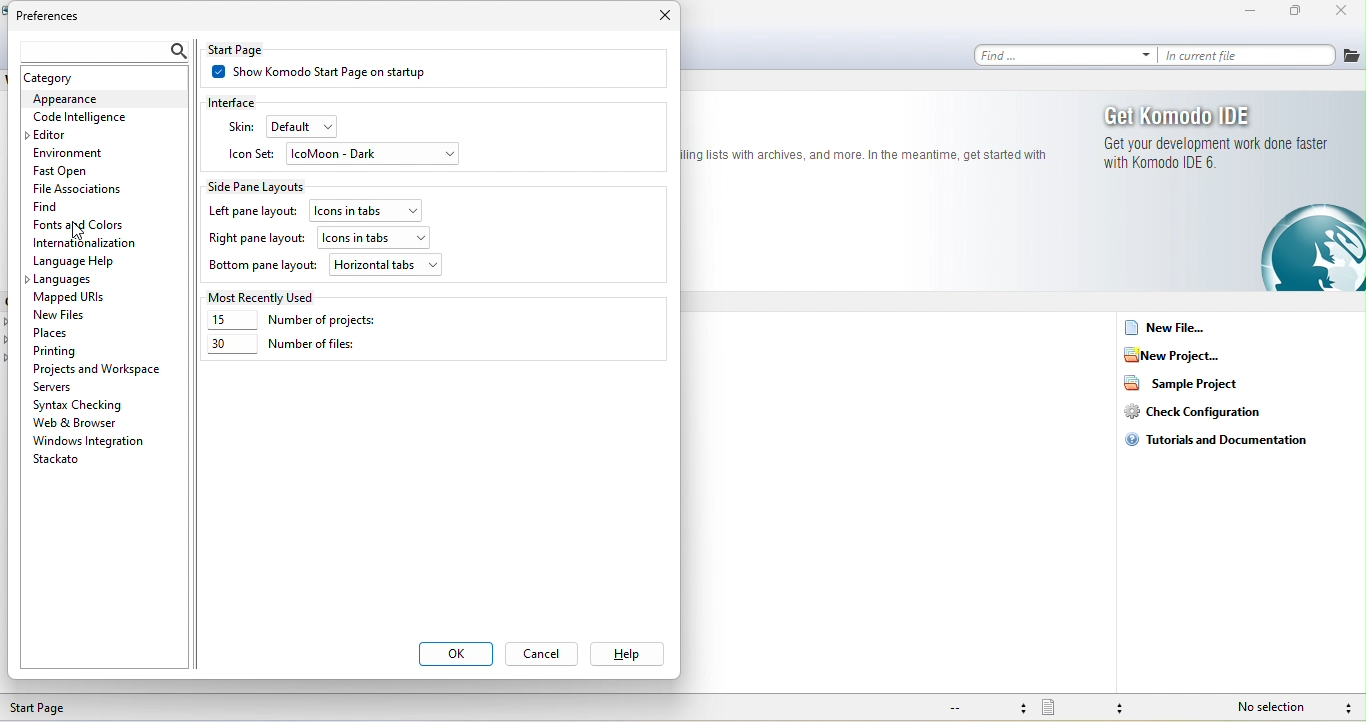 The width and height of the screenshot is (1366, 722). Describe the element at coordinates (1229, 195) in the screenshot. I see `get komodo ide` at that location.